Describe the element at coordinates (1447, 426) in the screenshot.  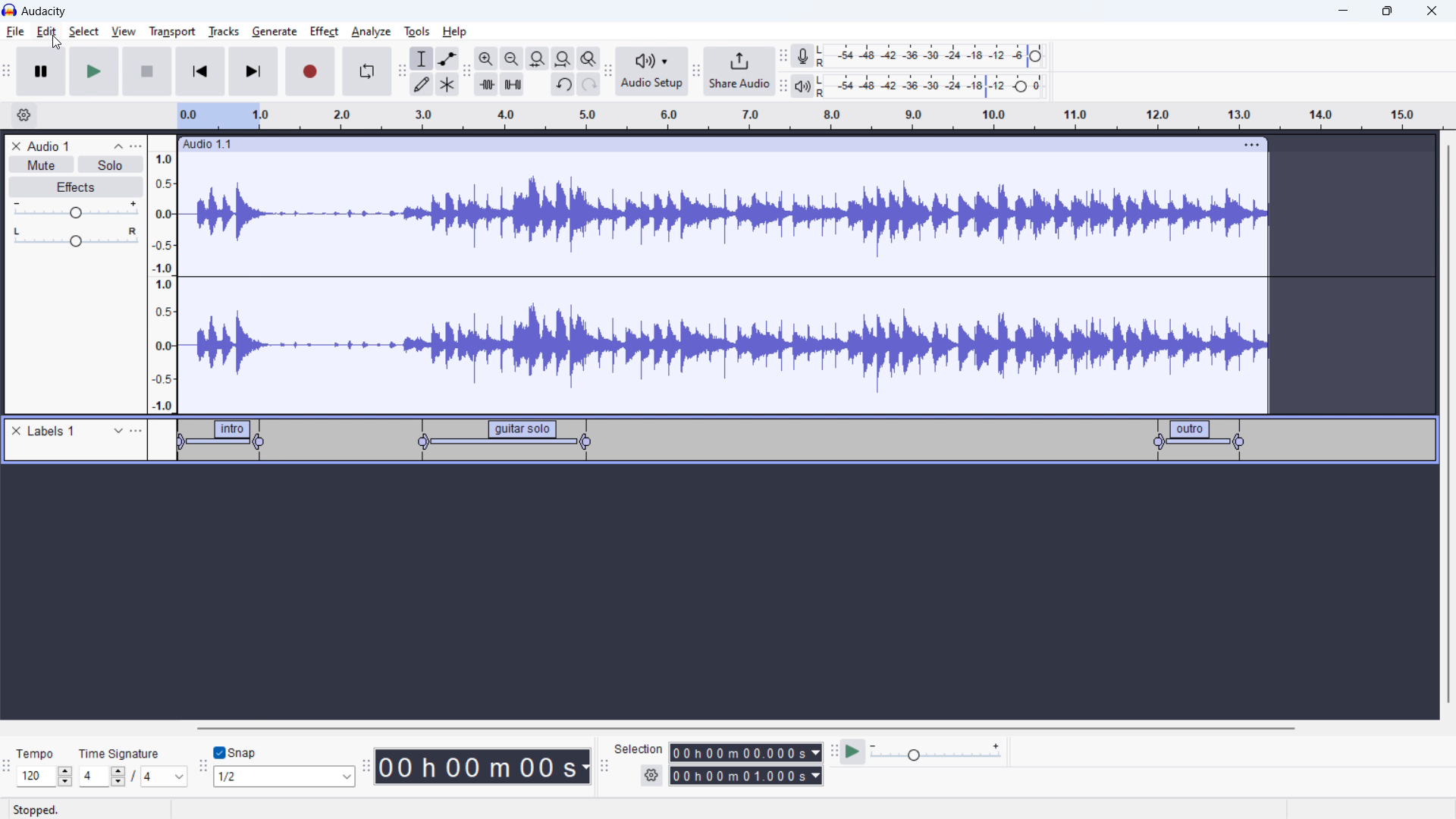
I see `vertical scrollbar` at that location.